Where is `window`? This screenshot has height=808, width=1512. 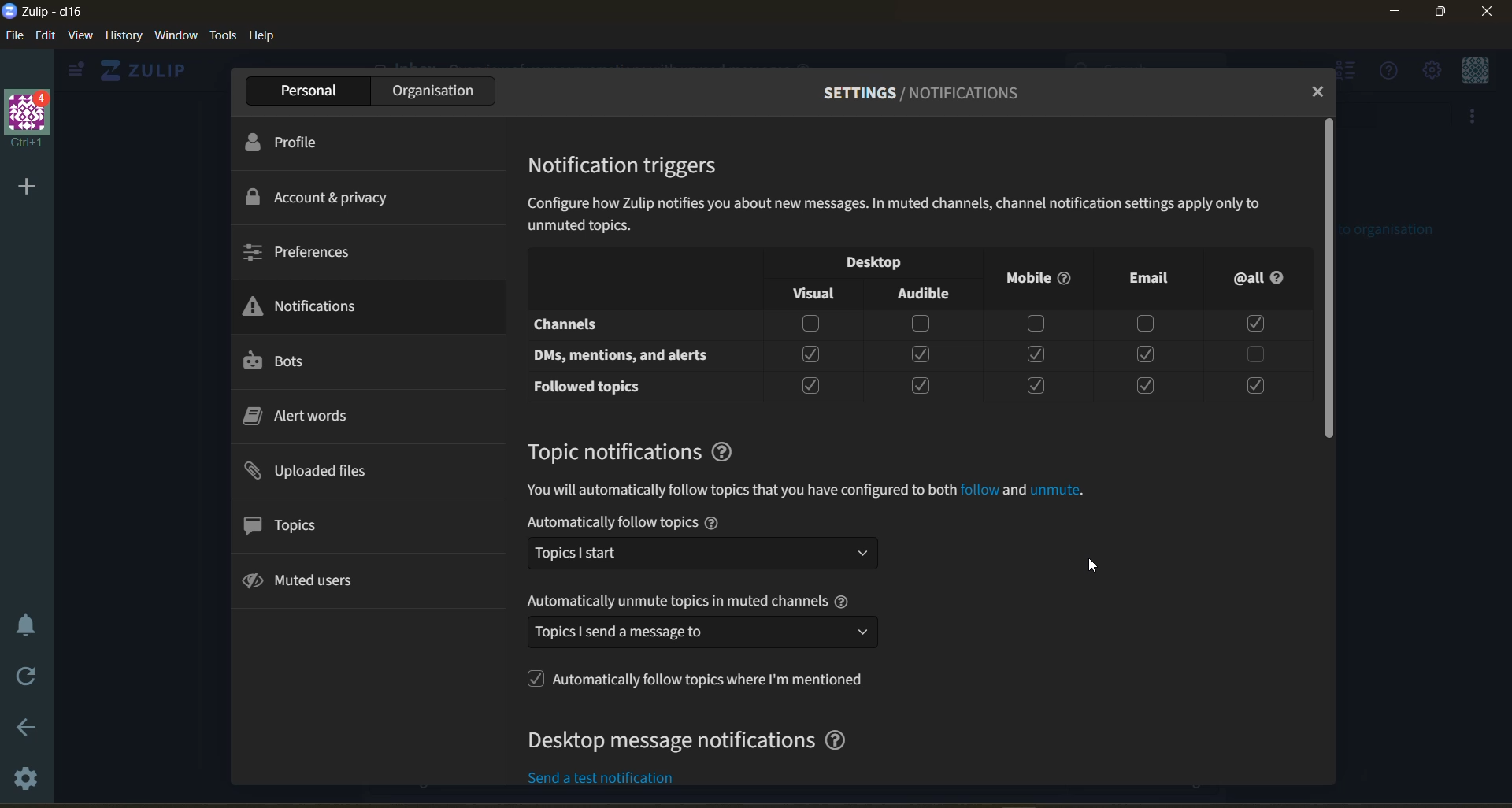 window is located at coordinates (180, 36).